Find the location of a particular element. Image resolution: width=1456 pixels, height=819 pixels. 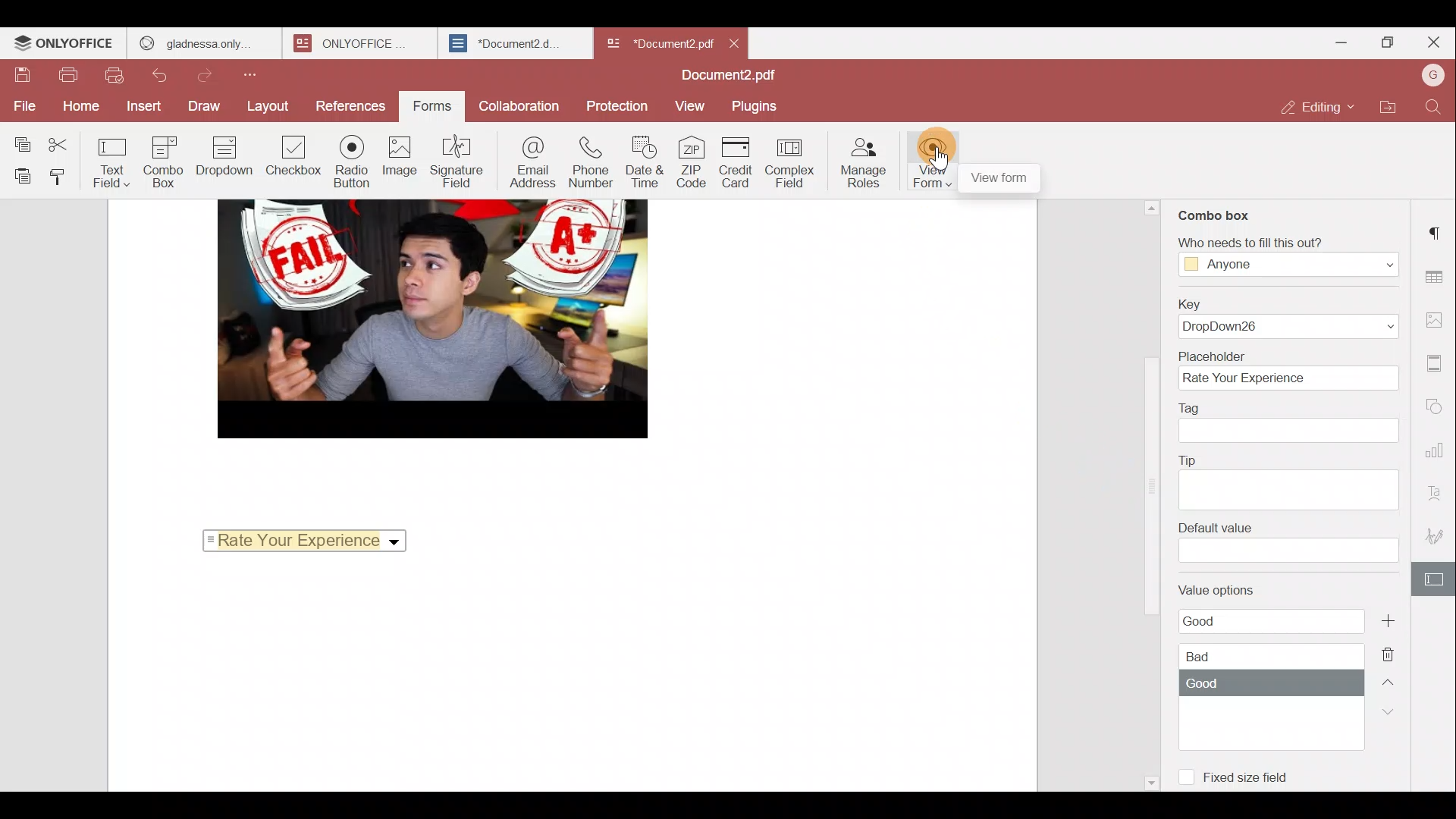

Add value is located at coordinates (1393, 620).